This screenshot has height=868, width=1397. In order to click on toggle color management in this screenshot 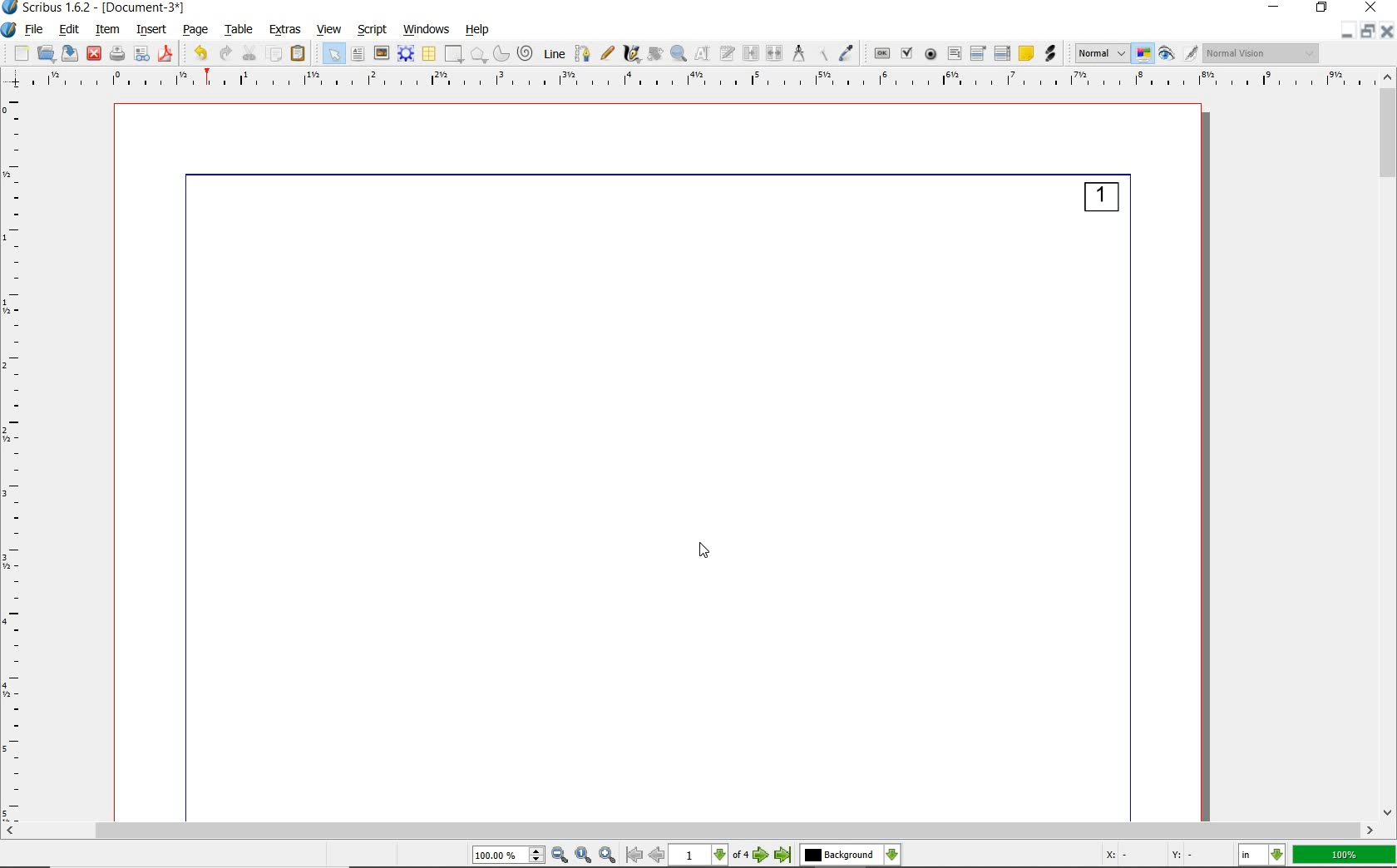, I will do `click(1143, 54)`.